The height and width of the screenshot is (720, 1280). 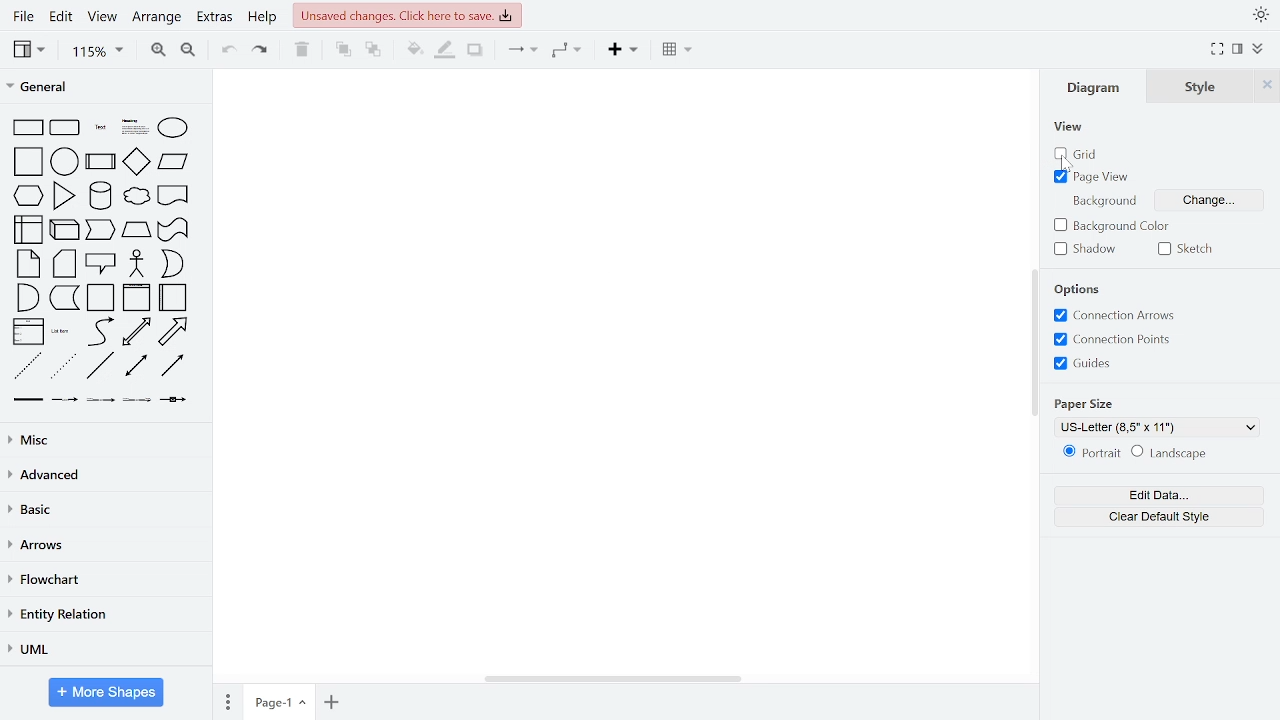 What do you see at coordinates (1083, 289) in the screenshot?
I see `options` at bounding box center [1083, 289].